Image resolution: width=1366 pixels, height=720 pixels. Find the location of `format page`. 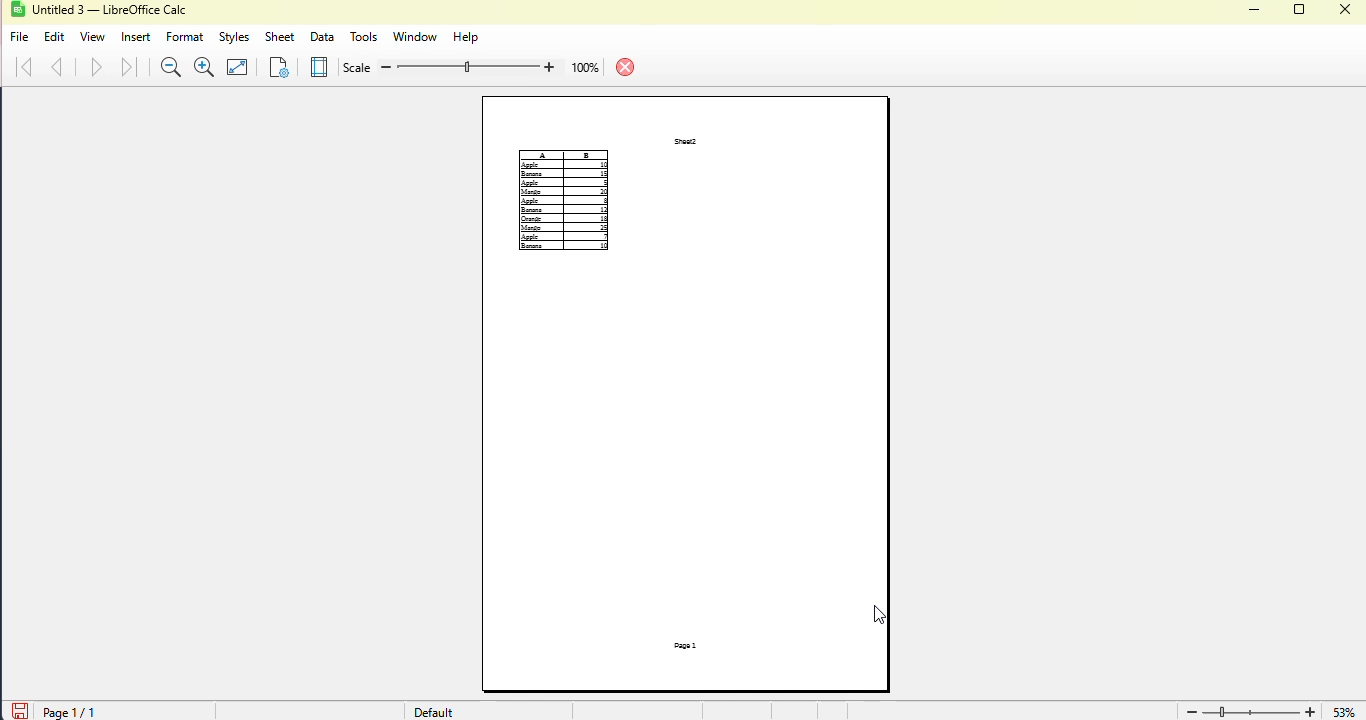

format page is located at coordinates (278, 66).